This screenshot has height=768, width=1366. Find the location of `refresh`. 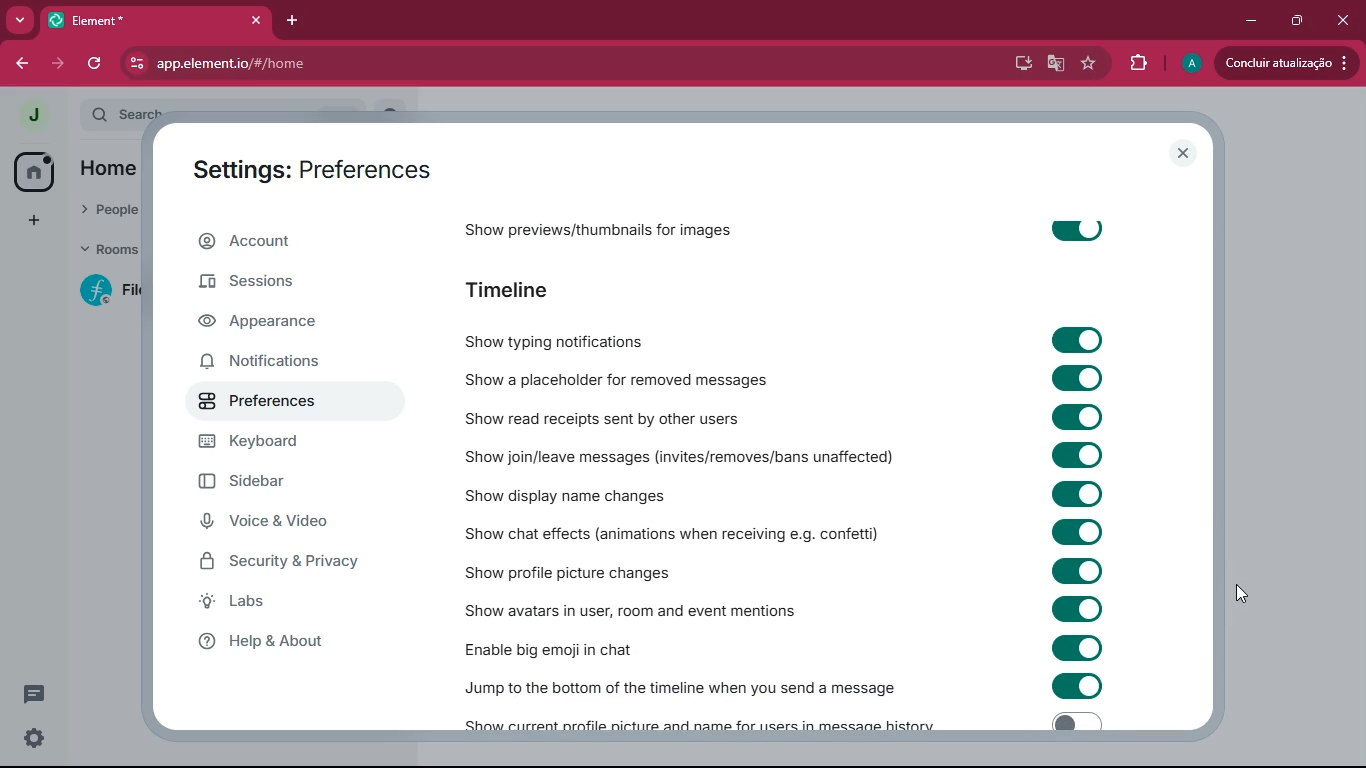

refresh is located at coordinates (92, 65).